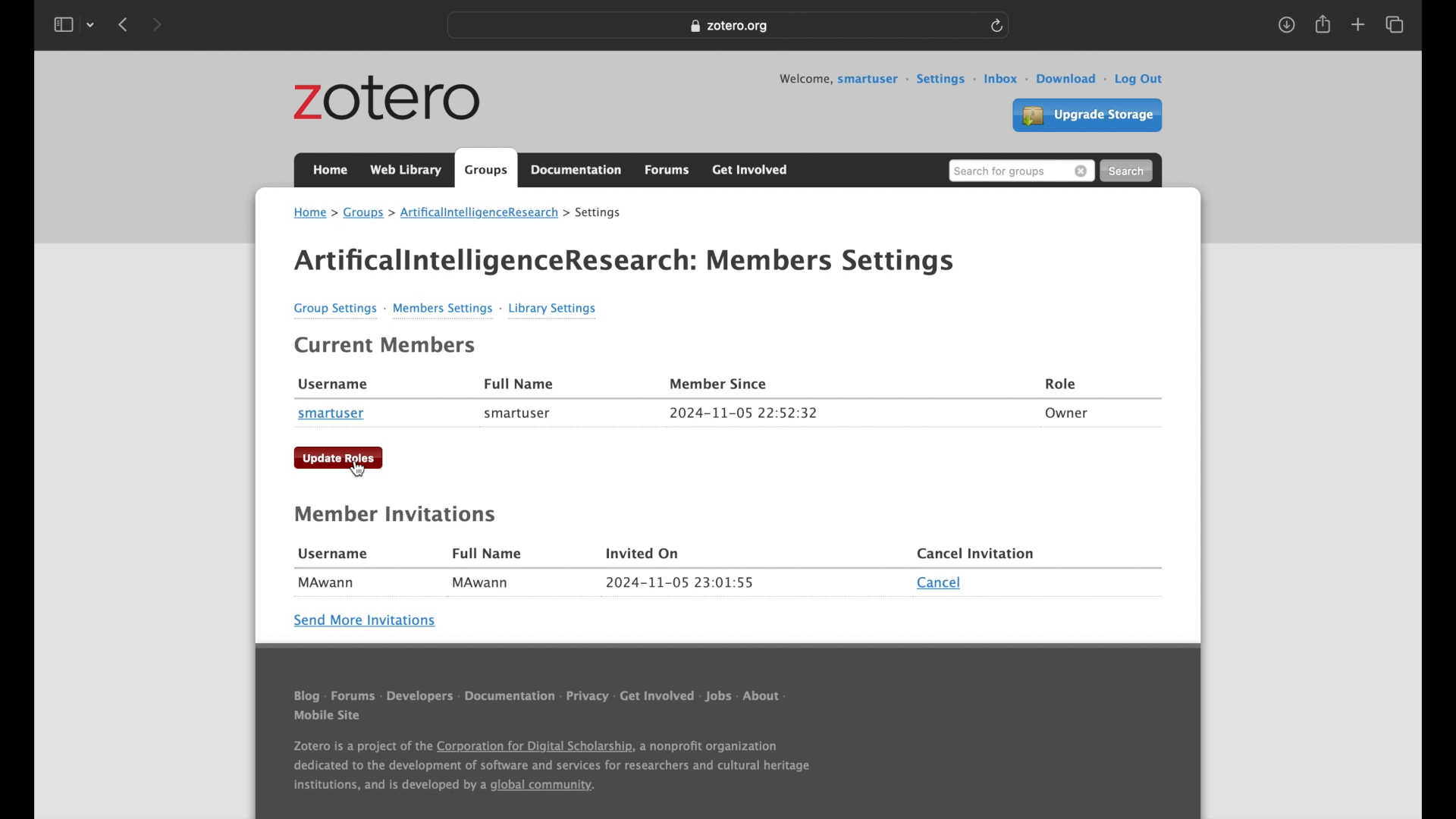 The width and height of the screenshot is (1456, 819). What do you see at coordinates (575, 739) in the screenshot?
I see `` at bounding box center [575, 739].